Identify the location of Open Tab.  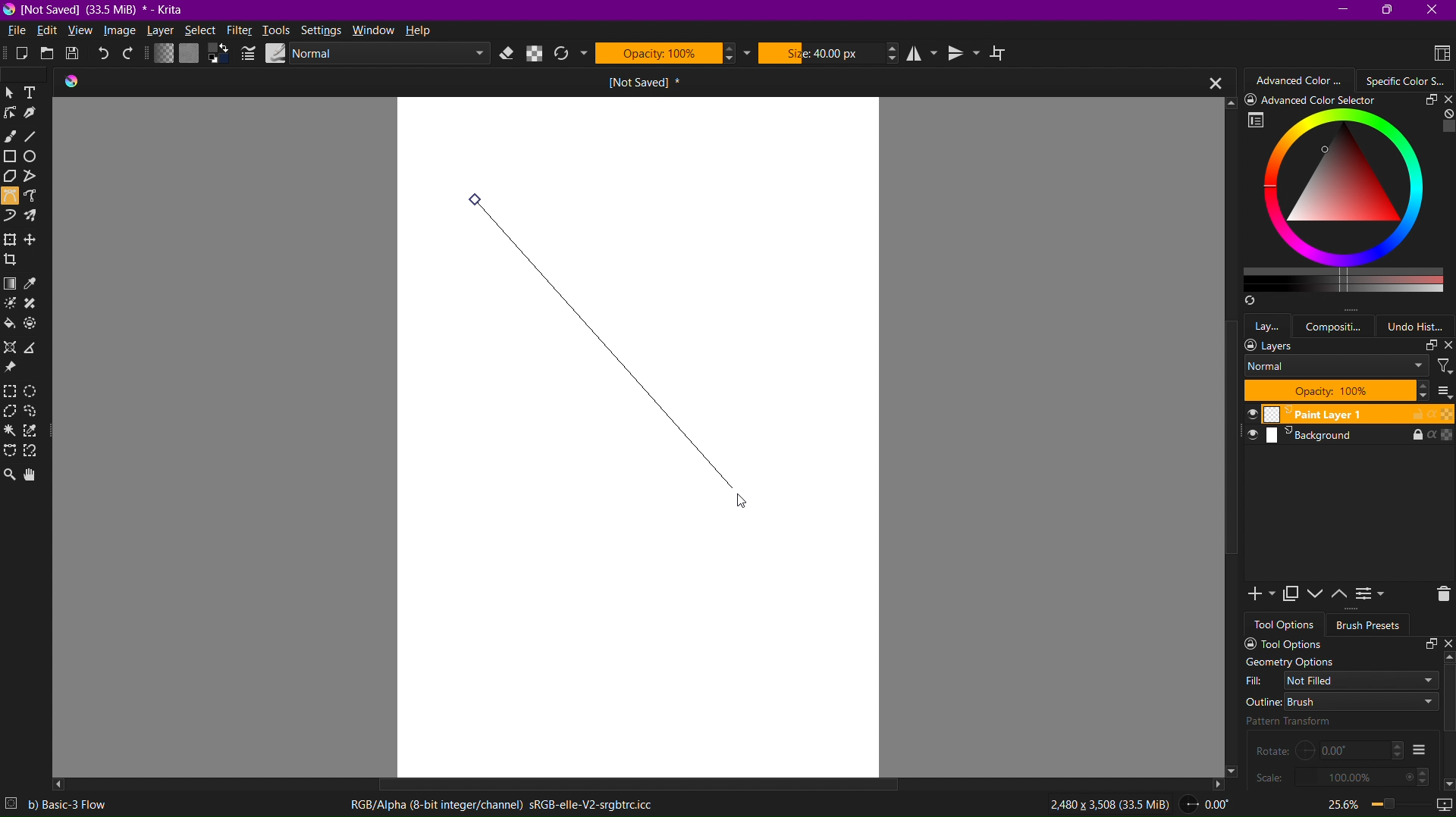
(595, 82).